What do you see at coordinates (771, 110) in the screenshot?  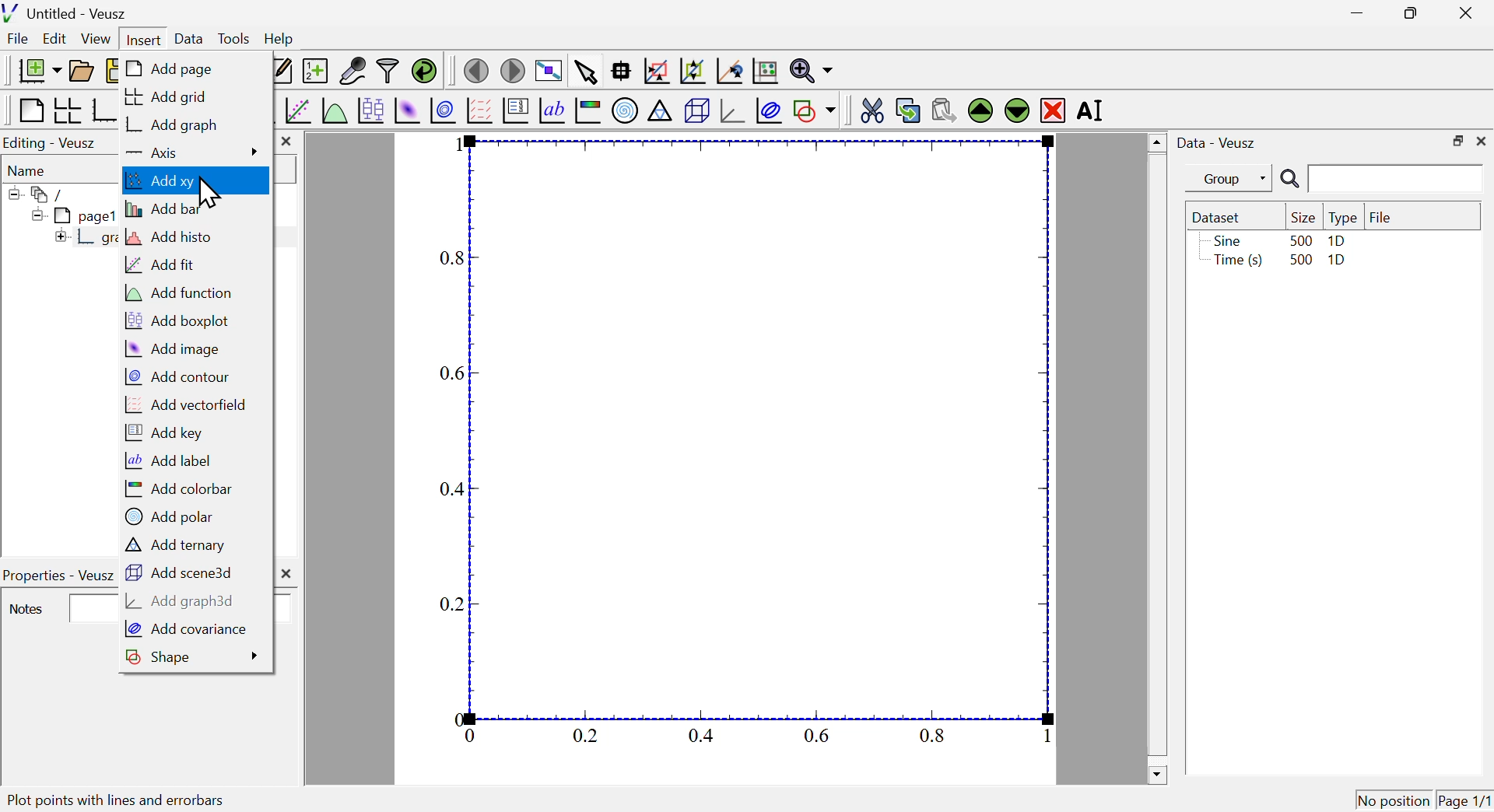 I see `plot covariance llipses` at bounding box center [771, 110].